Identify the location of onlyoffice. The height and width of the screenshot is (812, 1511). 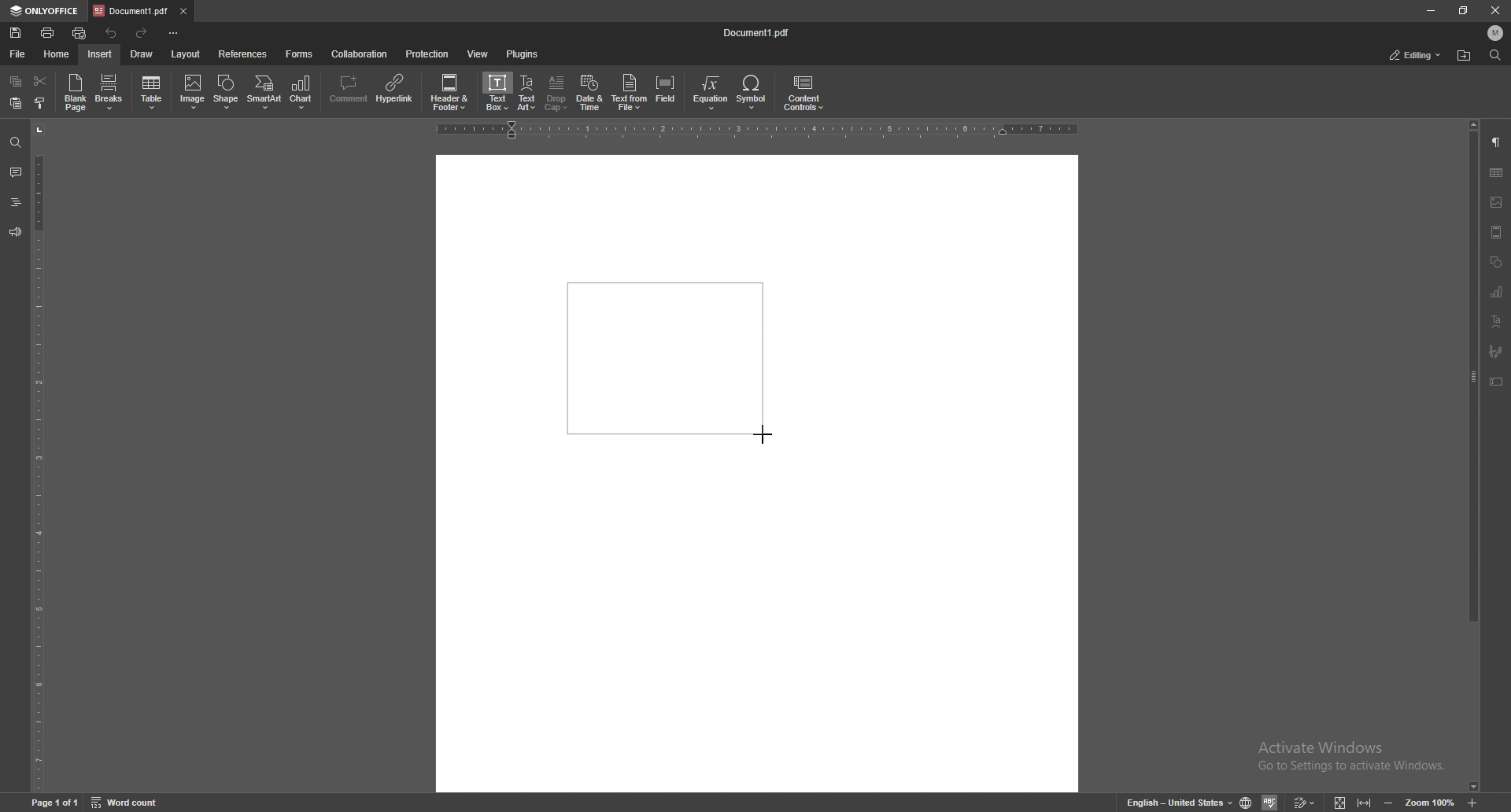
(45, 12).